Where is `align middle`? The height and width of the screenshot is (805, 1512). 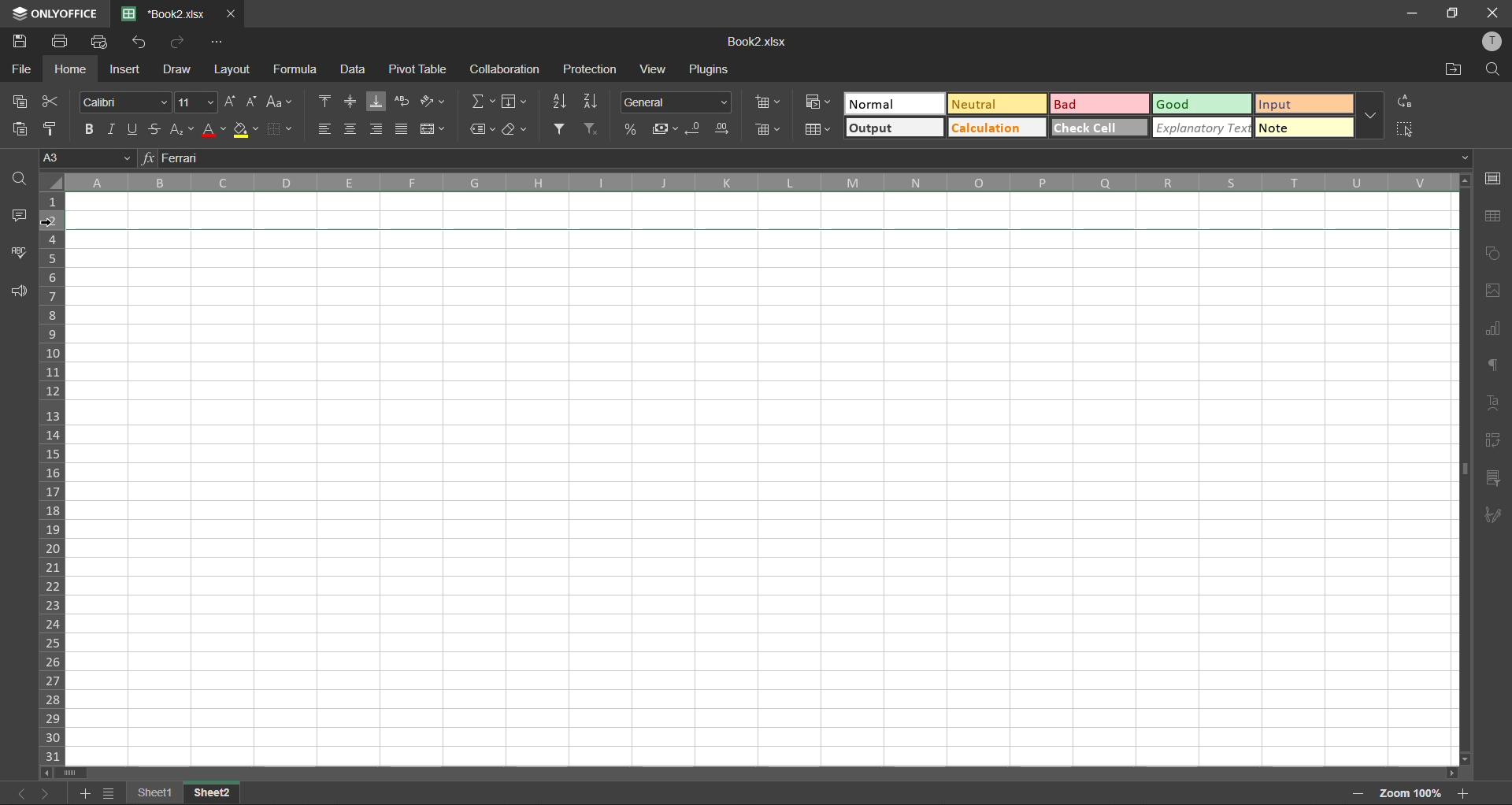
align middle is located at coordinates (351, 99).